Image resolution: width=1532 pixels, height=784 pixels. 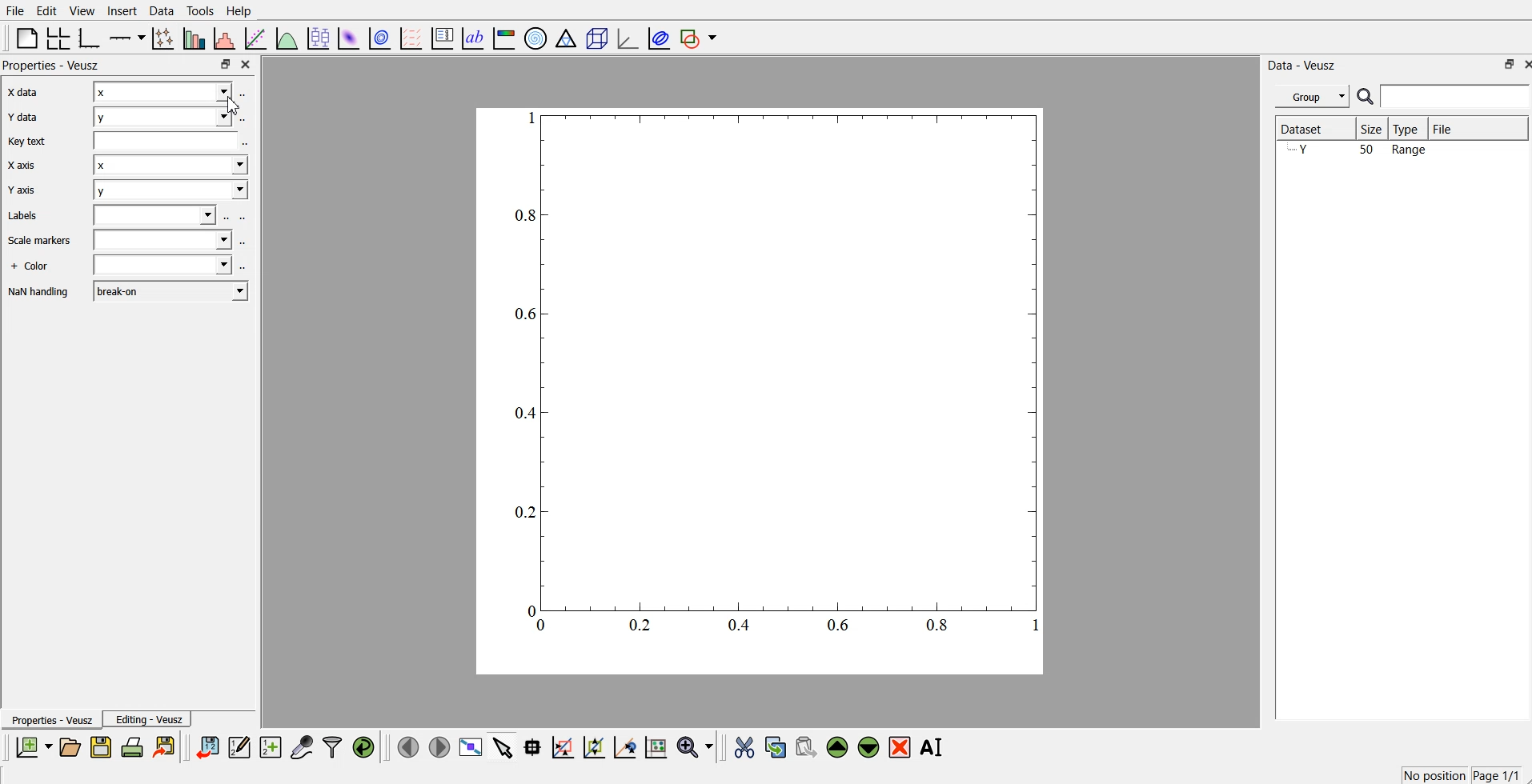 What do you see at coordinates (1307, 126) in the screenshot?
I see `Dataset` at bounding box center [1307, 126].